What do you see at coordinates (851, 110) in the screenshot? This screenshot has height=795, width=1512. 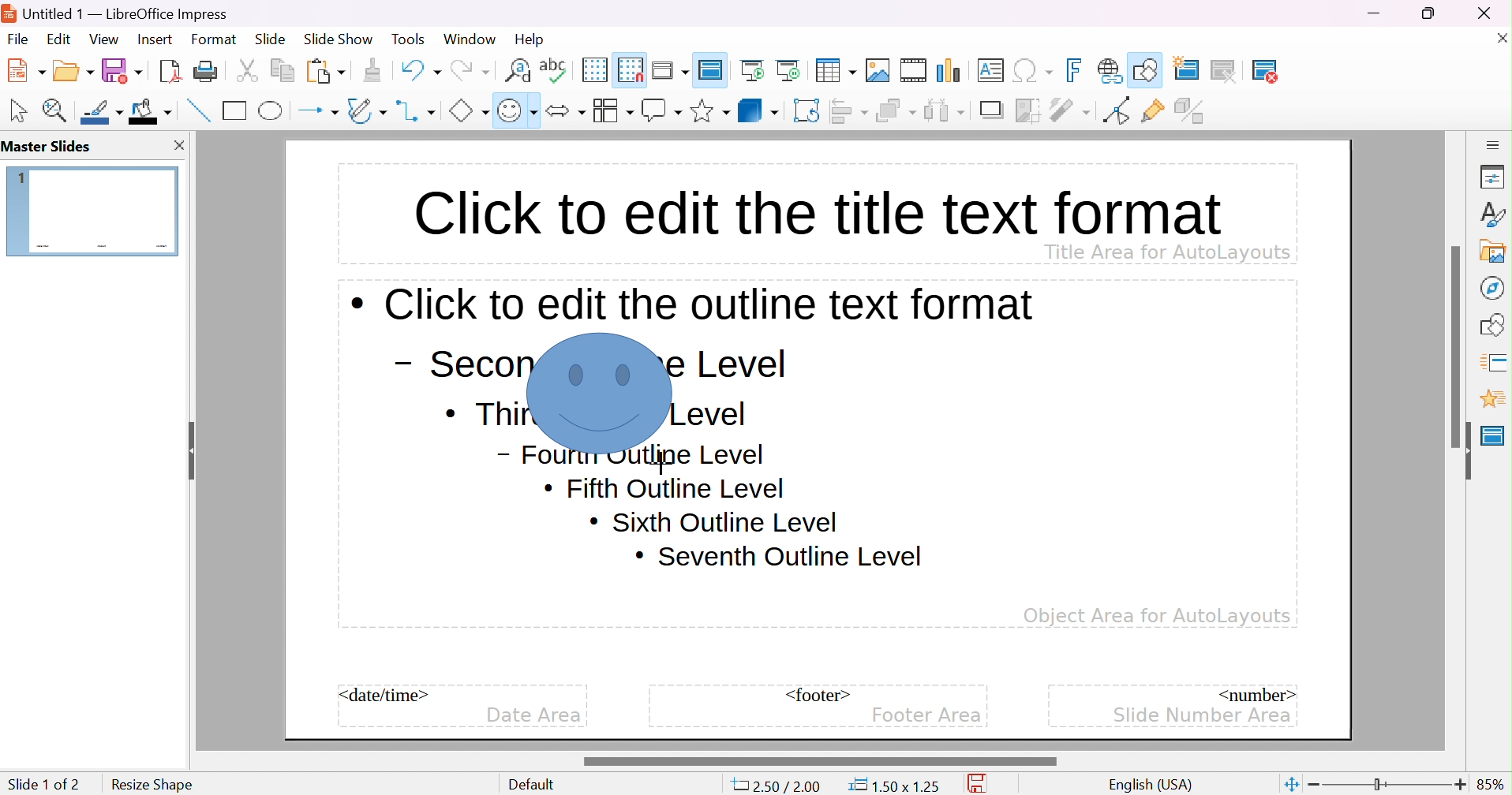 I see `align objects` at bounding box center [851, 110].